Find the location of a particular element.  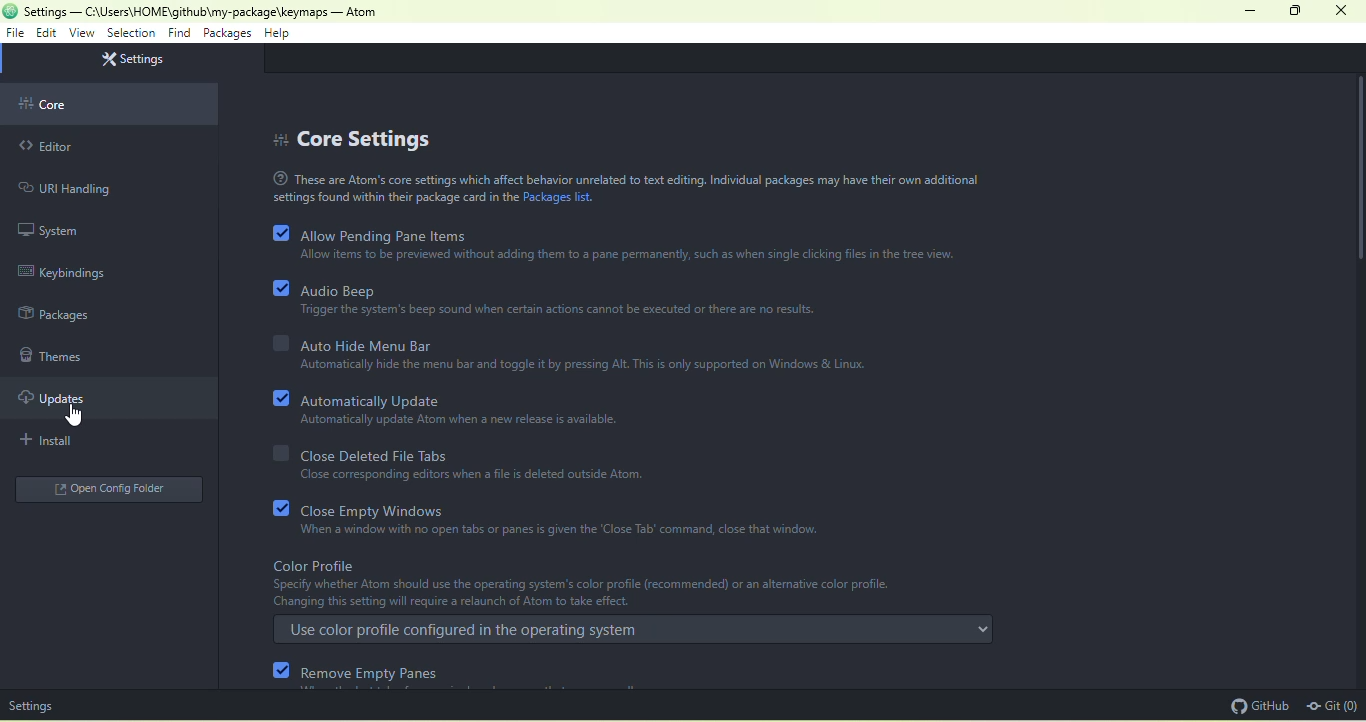

checkbox with ticks is located at coordinates (280, 669).